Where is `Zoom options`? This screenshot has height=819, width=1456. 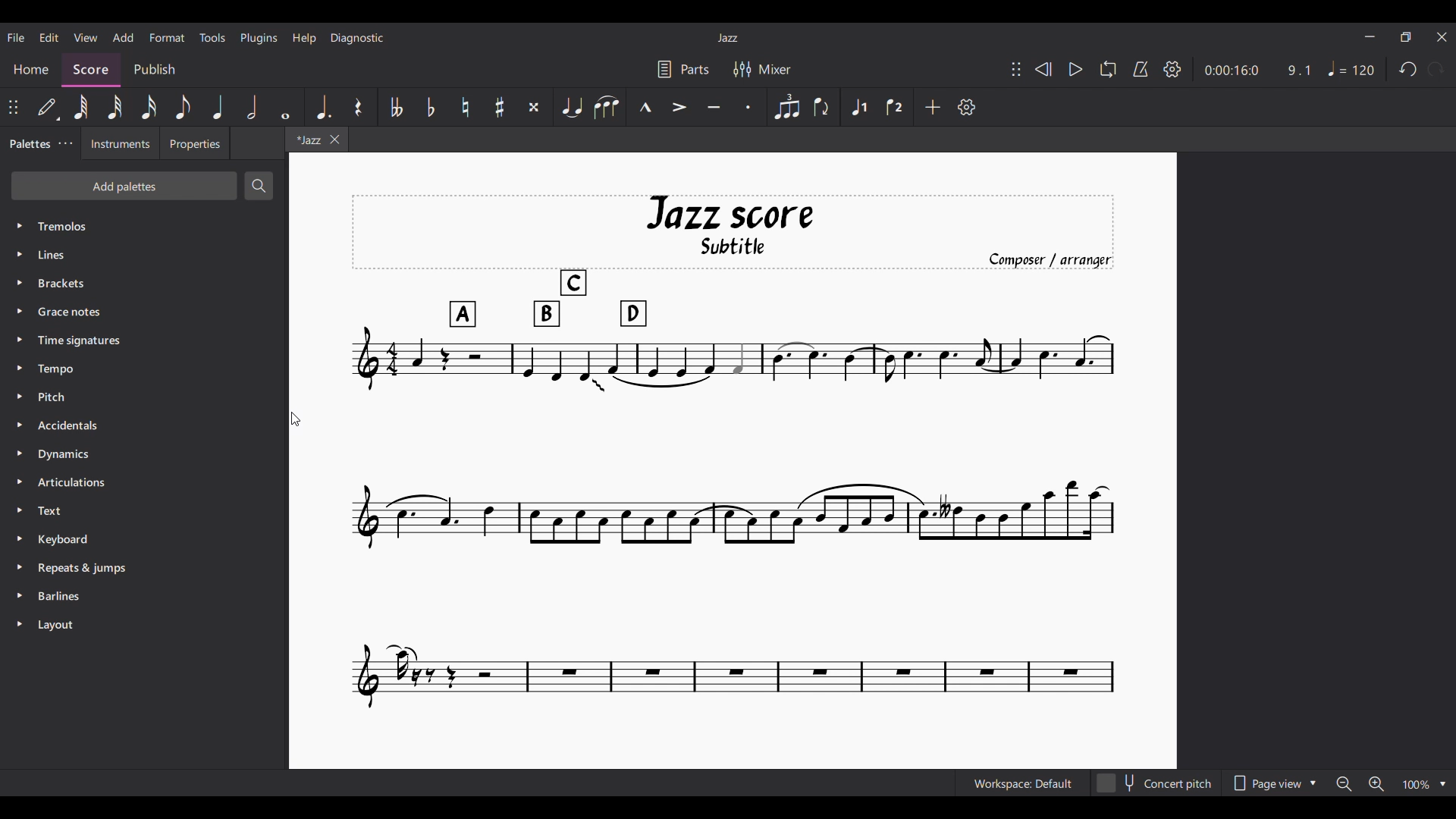 Zoom options is located at coordinates (1425, 783).